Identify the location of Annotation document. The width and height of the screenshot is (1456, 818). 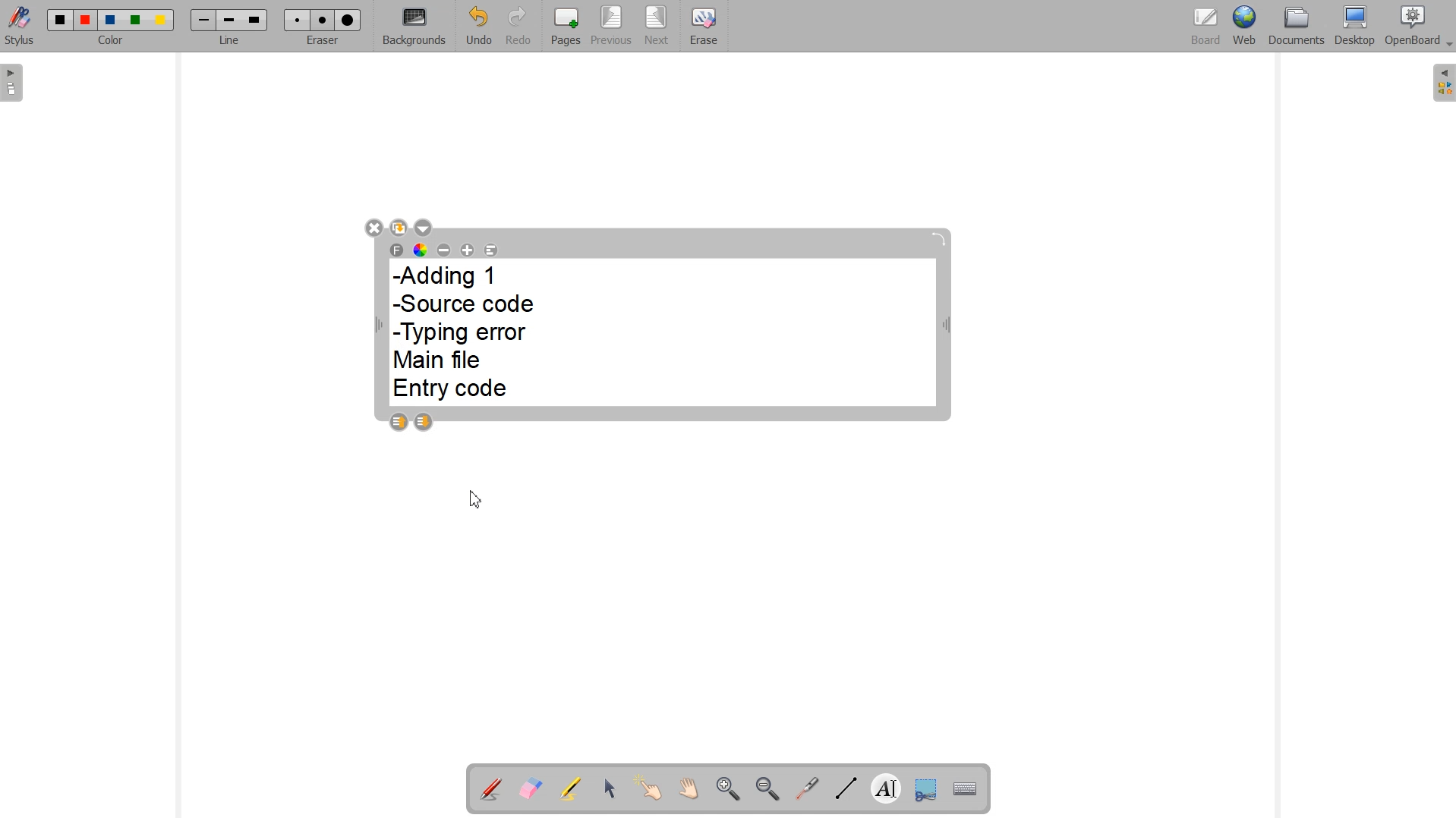
(490, 787).